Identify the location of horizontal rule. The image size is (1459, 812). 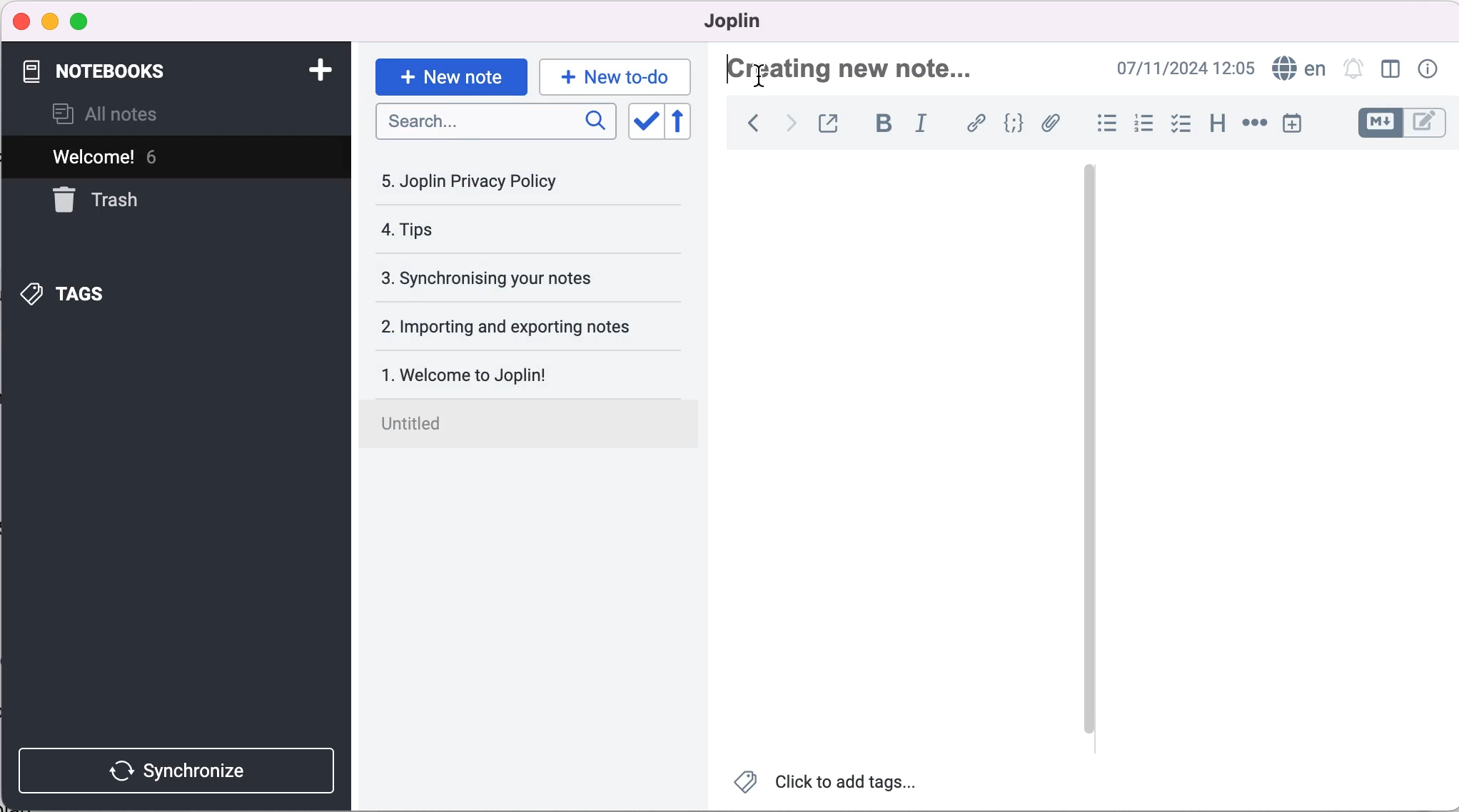
(1252, 123).